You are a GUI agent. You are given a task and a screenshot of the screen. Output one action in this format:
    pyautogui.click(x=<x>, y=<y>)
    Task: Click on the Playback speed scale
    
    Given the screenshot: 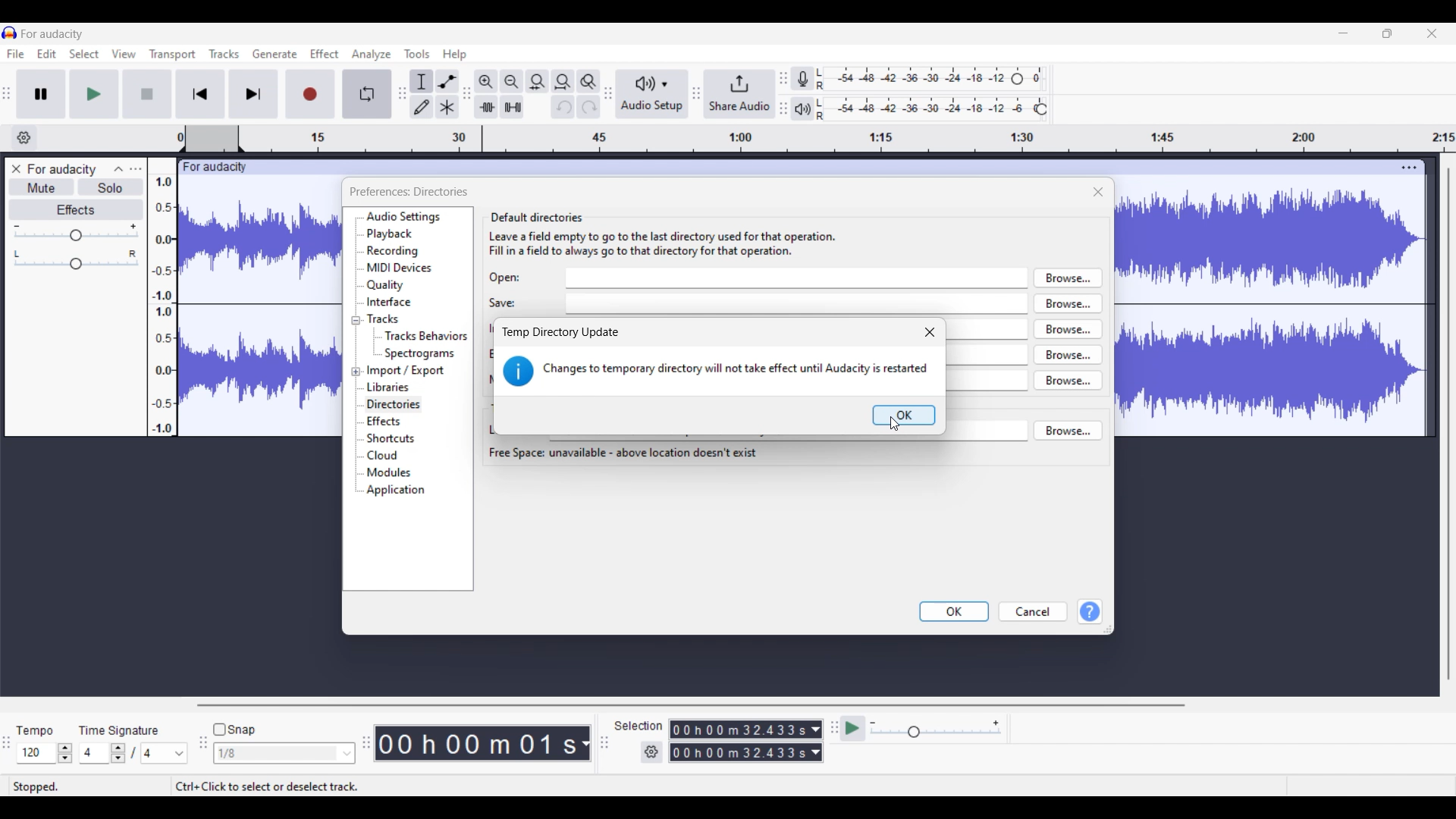 What is the action you would take?
    pyautogui.click(x=936, y=728)
    